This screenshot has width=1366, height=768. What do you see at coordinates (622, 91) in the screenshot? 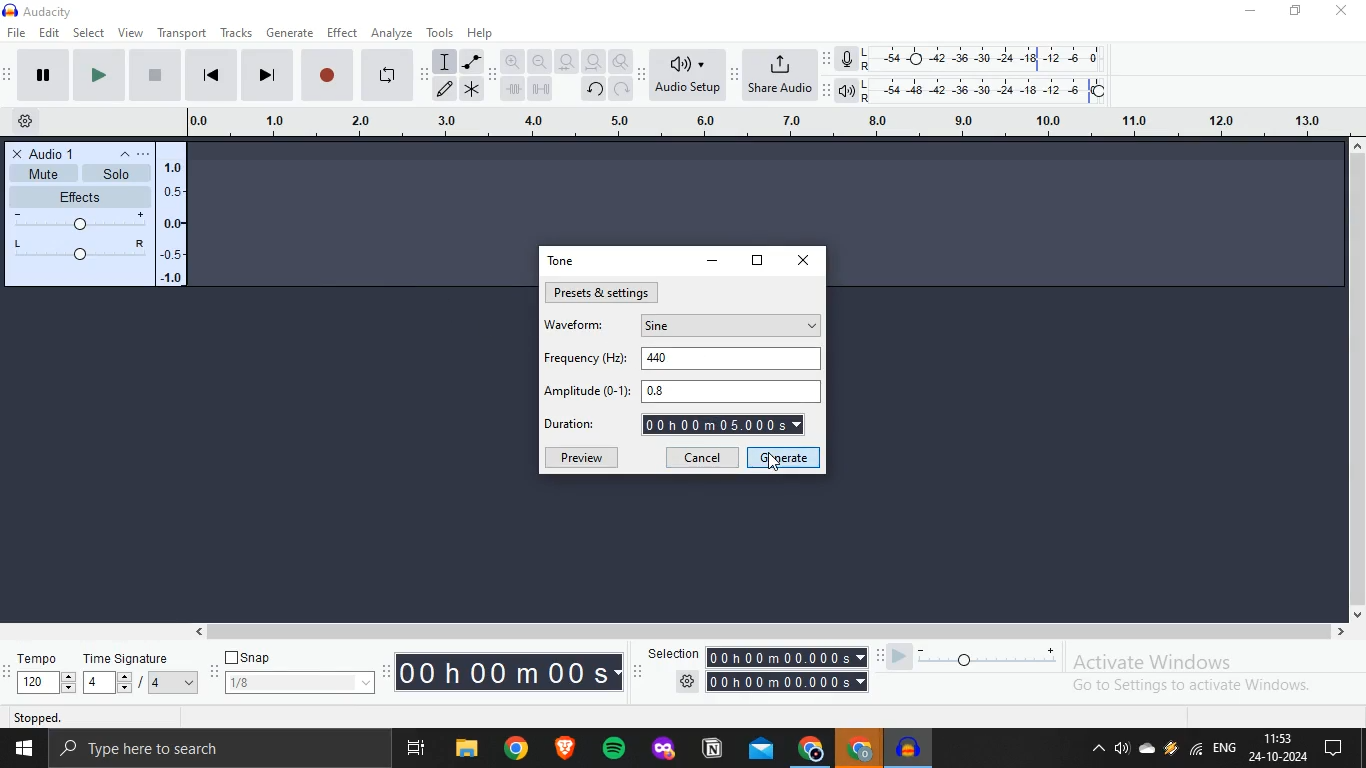
I see `Refresh` at bounding box center [622, 91].